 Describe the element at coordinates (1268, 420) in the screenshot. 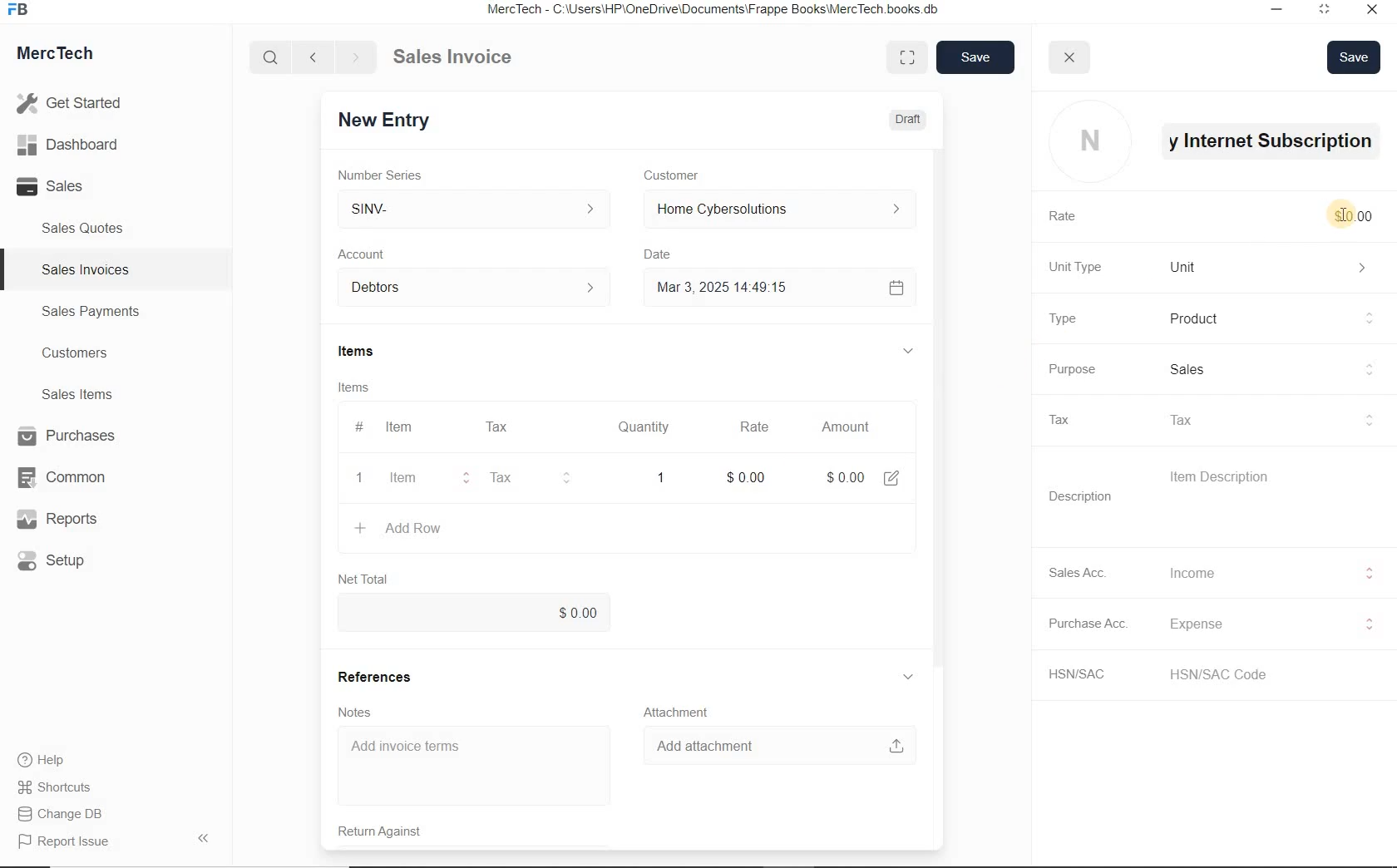

I see `Tax` at that location.